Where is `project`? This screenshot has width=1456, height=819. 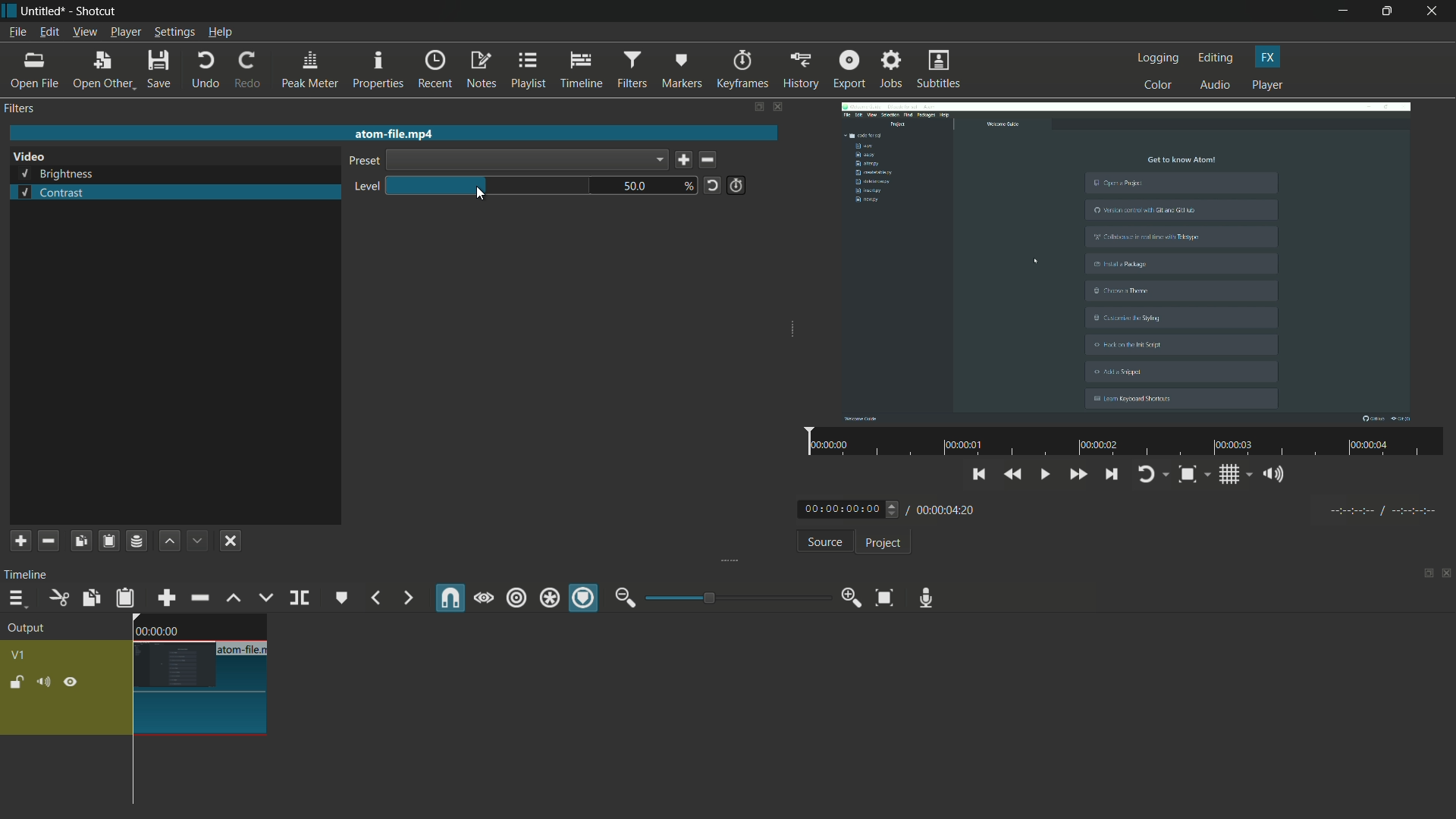 project is located at coordinates (881, 543).